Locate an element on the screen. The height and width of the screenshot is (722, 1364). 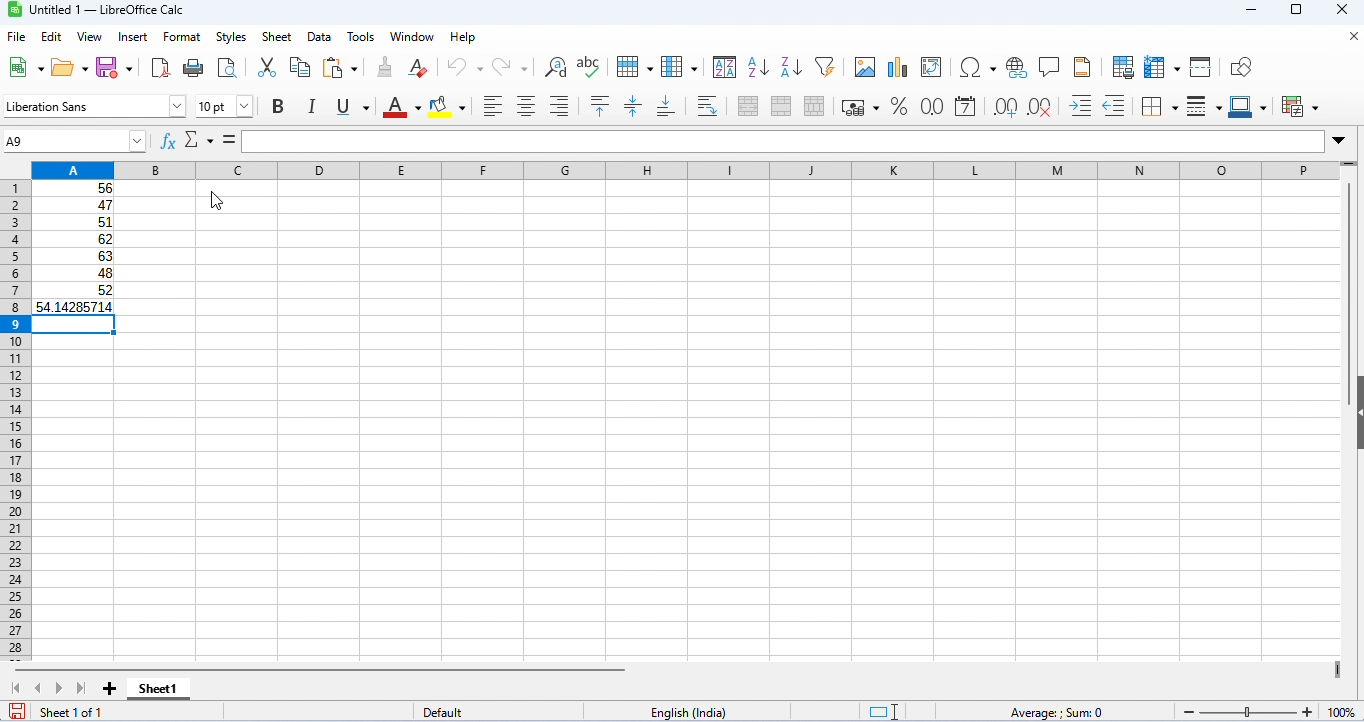
average appeared  is located at coordinates (73, 306).